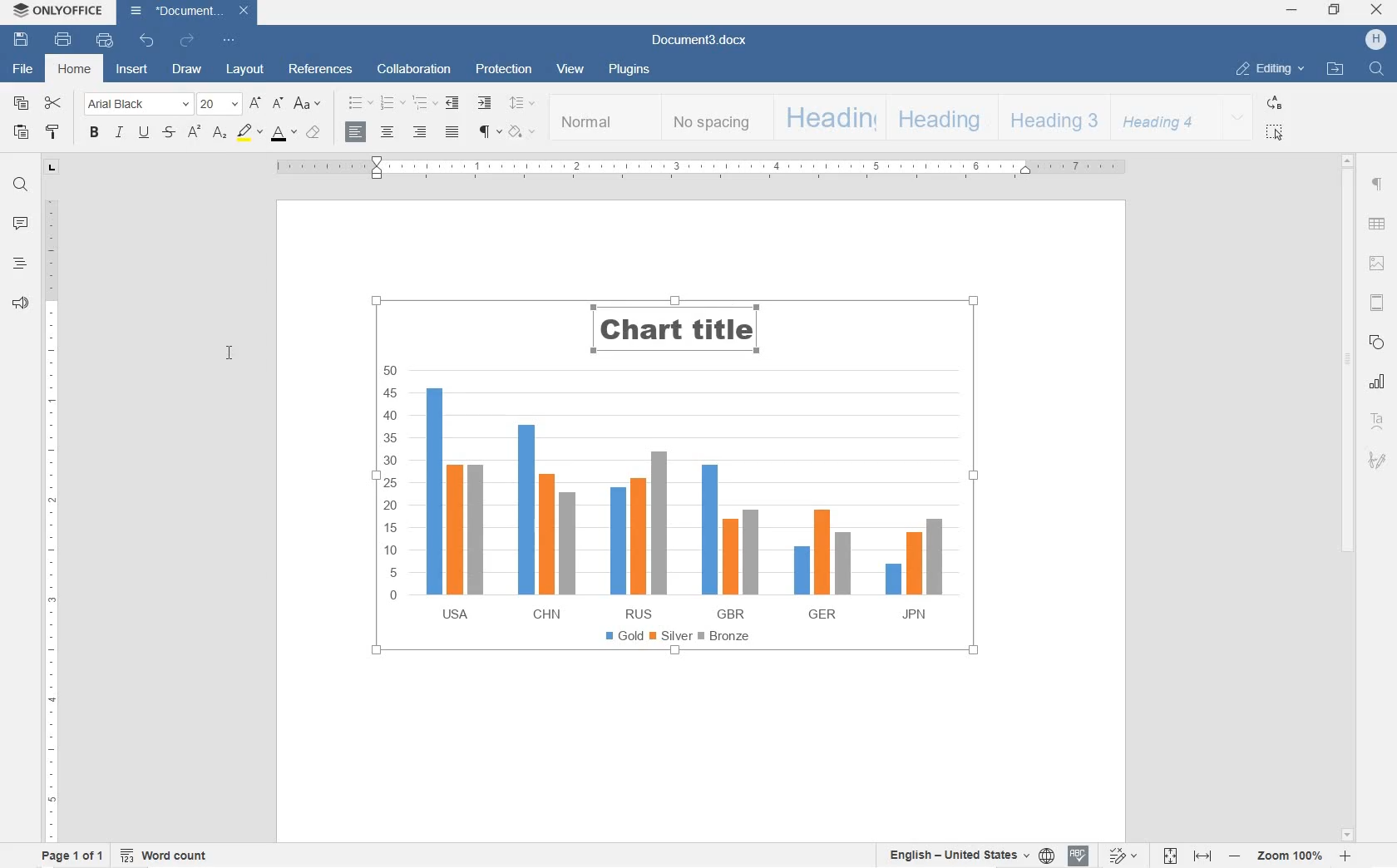 This screenshot has height=868, width=1397. Describe the element at coordinates (134, 70) in the screenshot. I see `INSERT` at that location.